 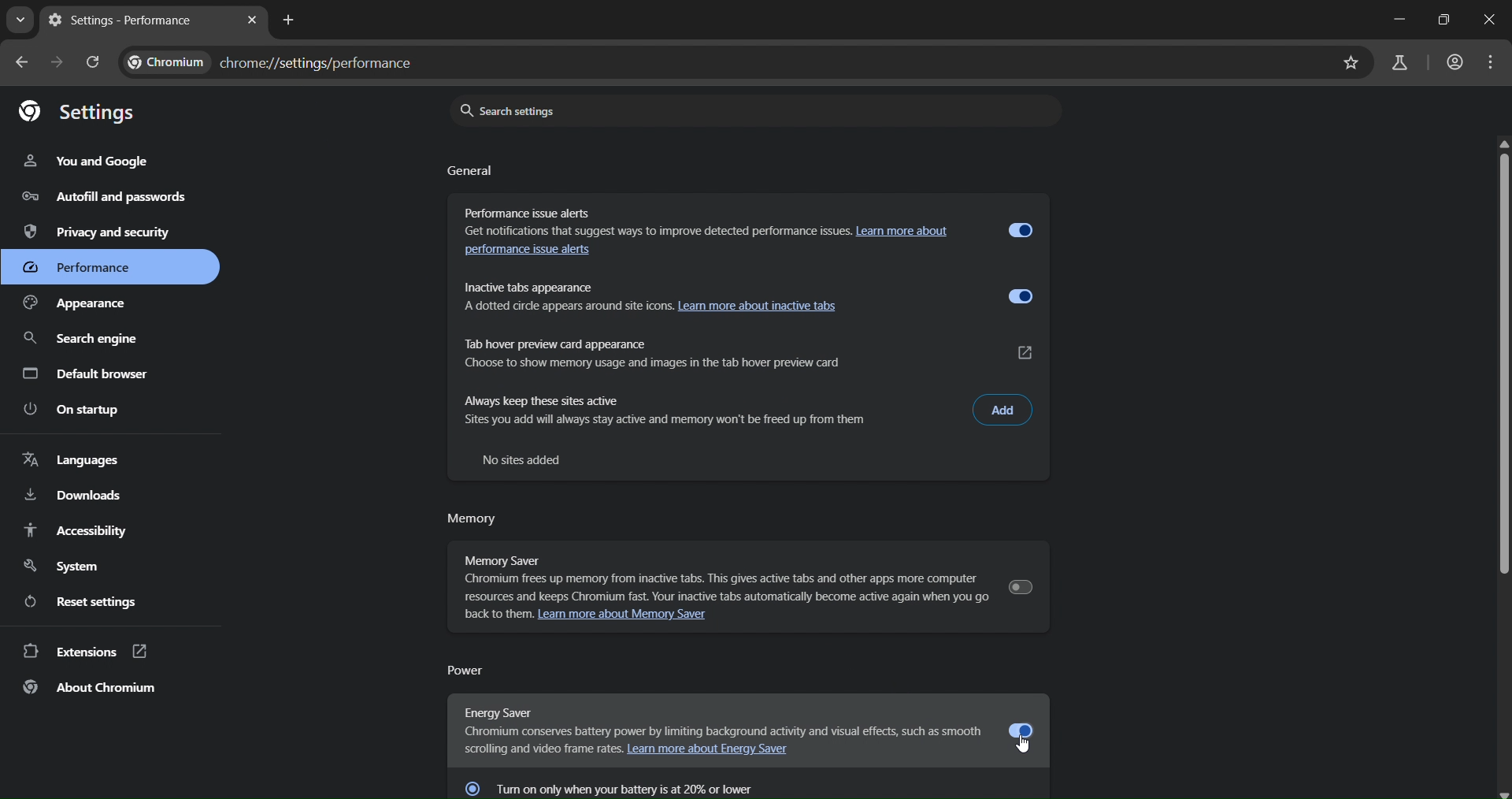 I want to click on toggle button, so click(x=1024, y=730).